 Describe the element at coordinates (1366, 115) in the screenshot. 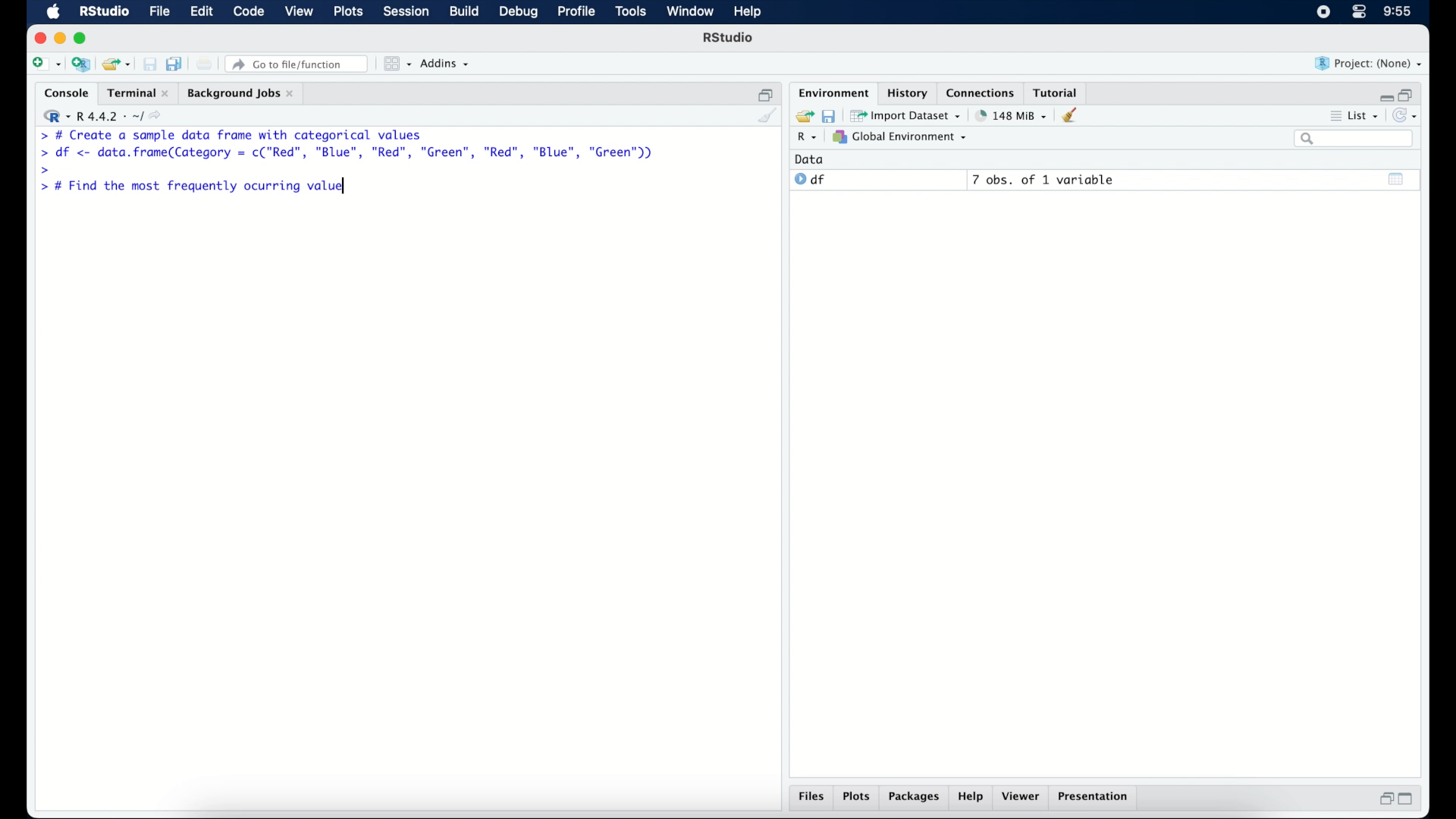

I see `list` at that location.